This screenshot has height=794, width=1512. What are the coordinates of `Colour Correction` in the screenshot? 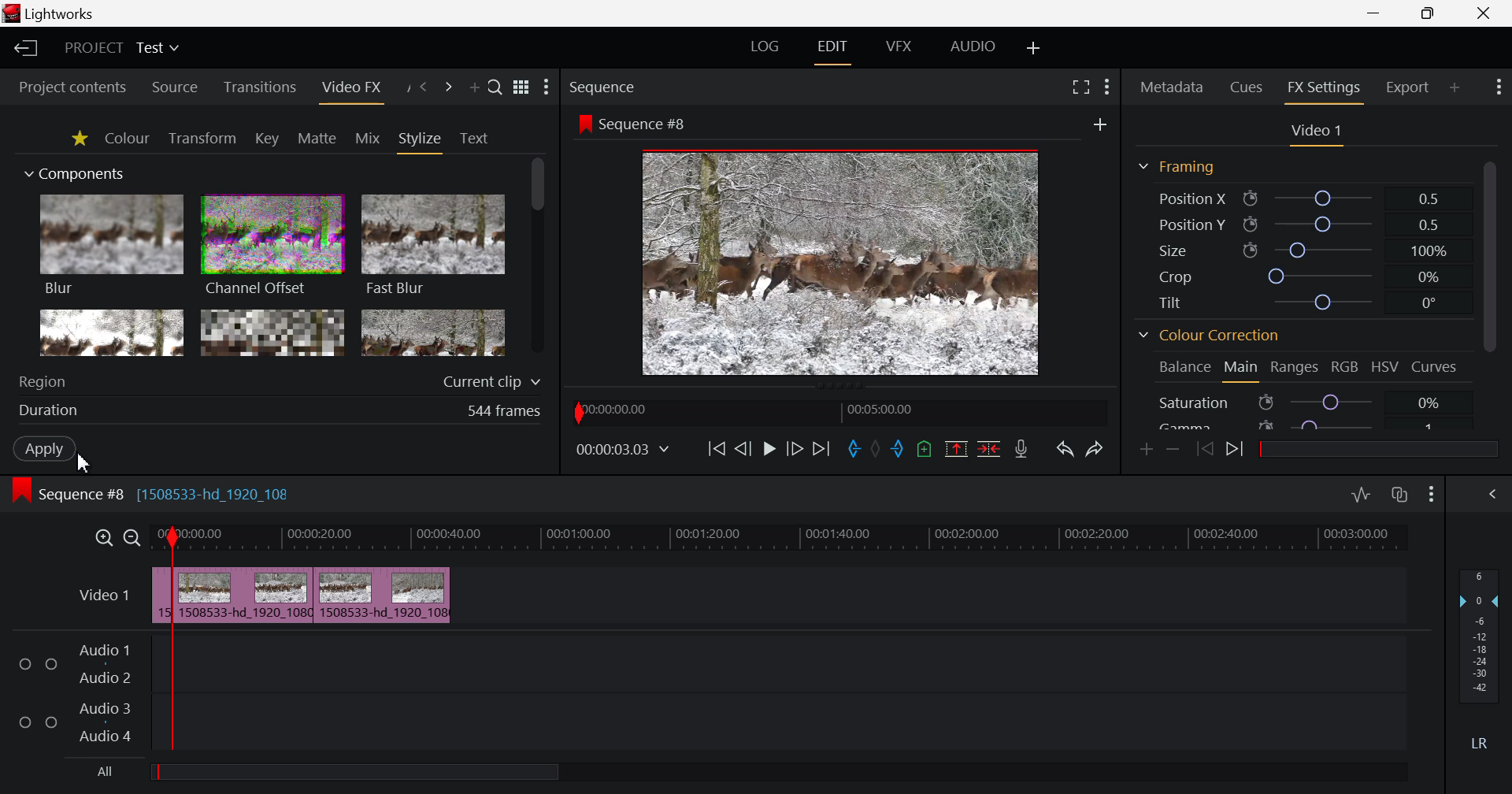 It's located at (1209, 336).